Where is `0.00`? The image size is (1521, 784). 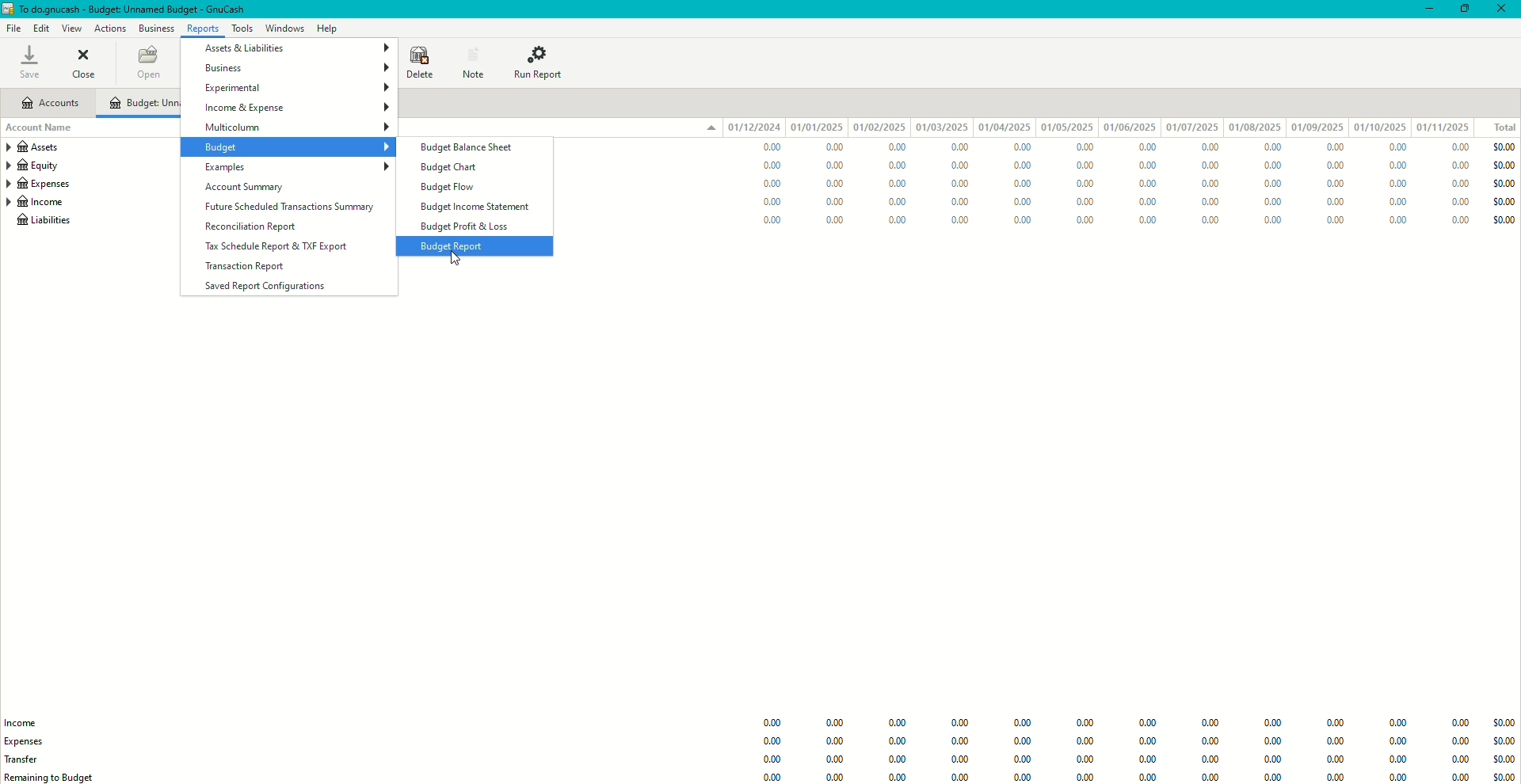 0.00 is located at coordinates (768, 201).